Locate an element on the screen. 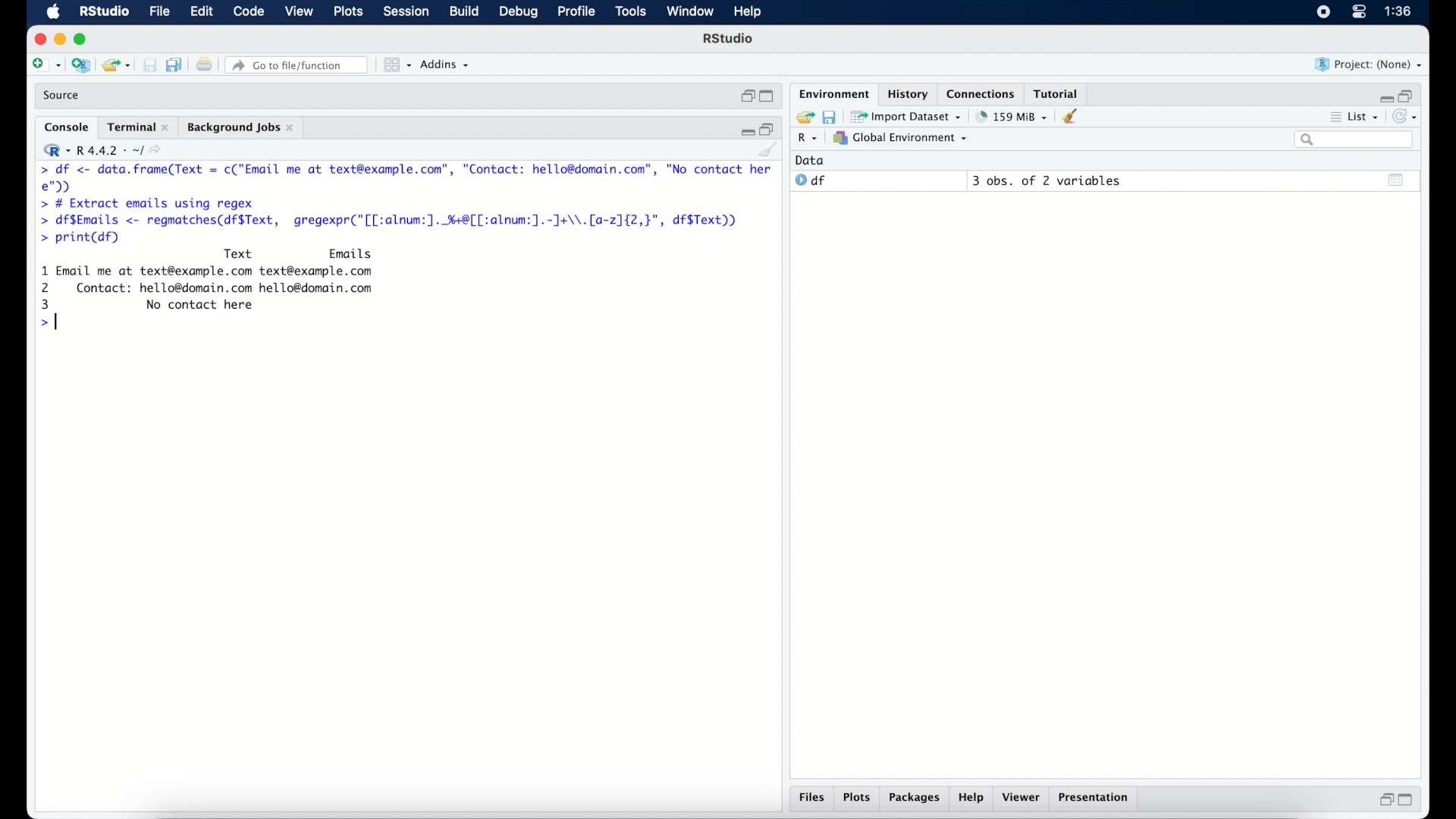 This screenshot has height=819, width=1456. build is located at coordinates (465, 12).